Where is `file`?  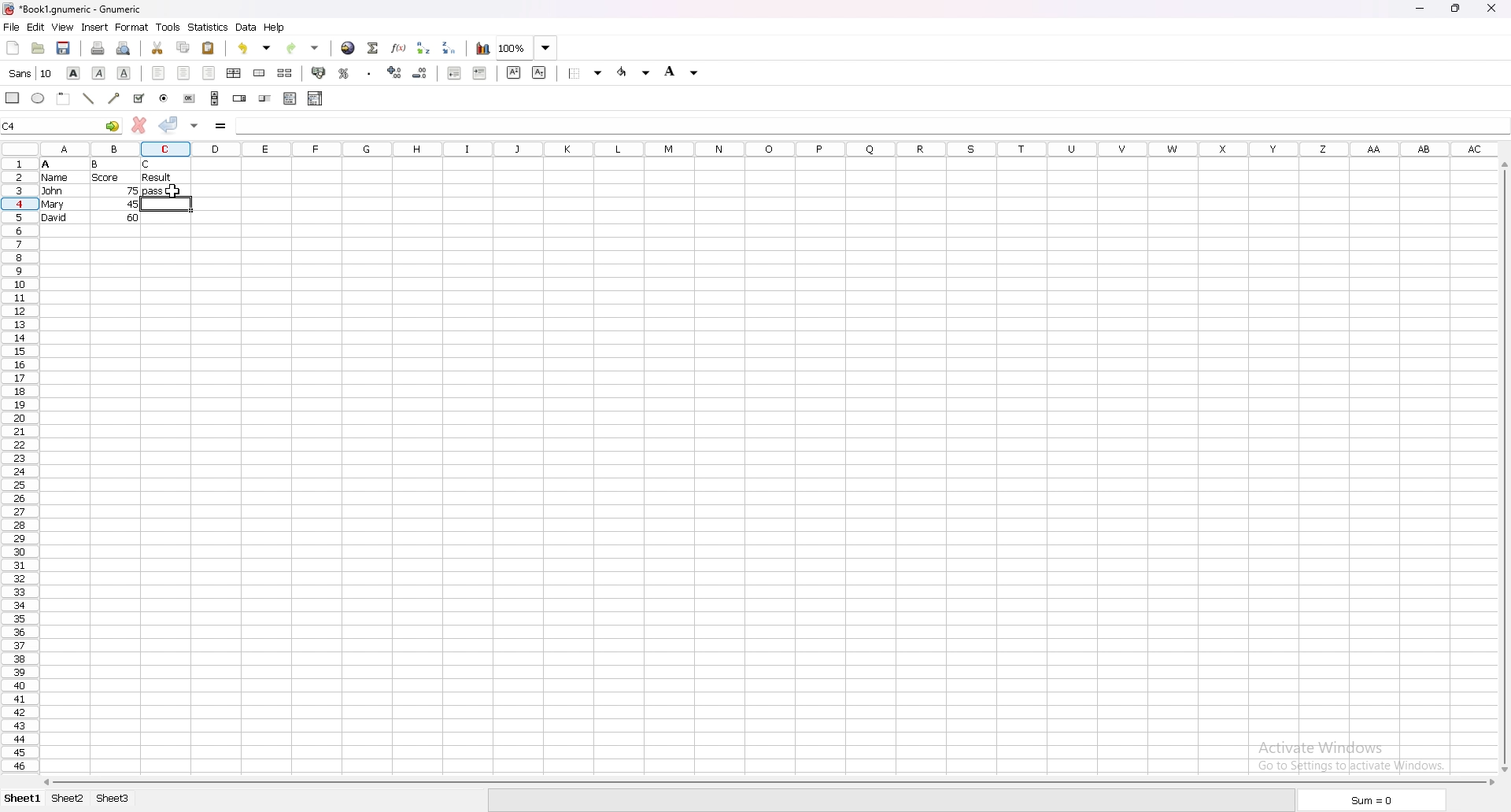
file is located at coordinates (11, 27).